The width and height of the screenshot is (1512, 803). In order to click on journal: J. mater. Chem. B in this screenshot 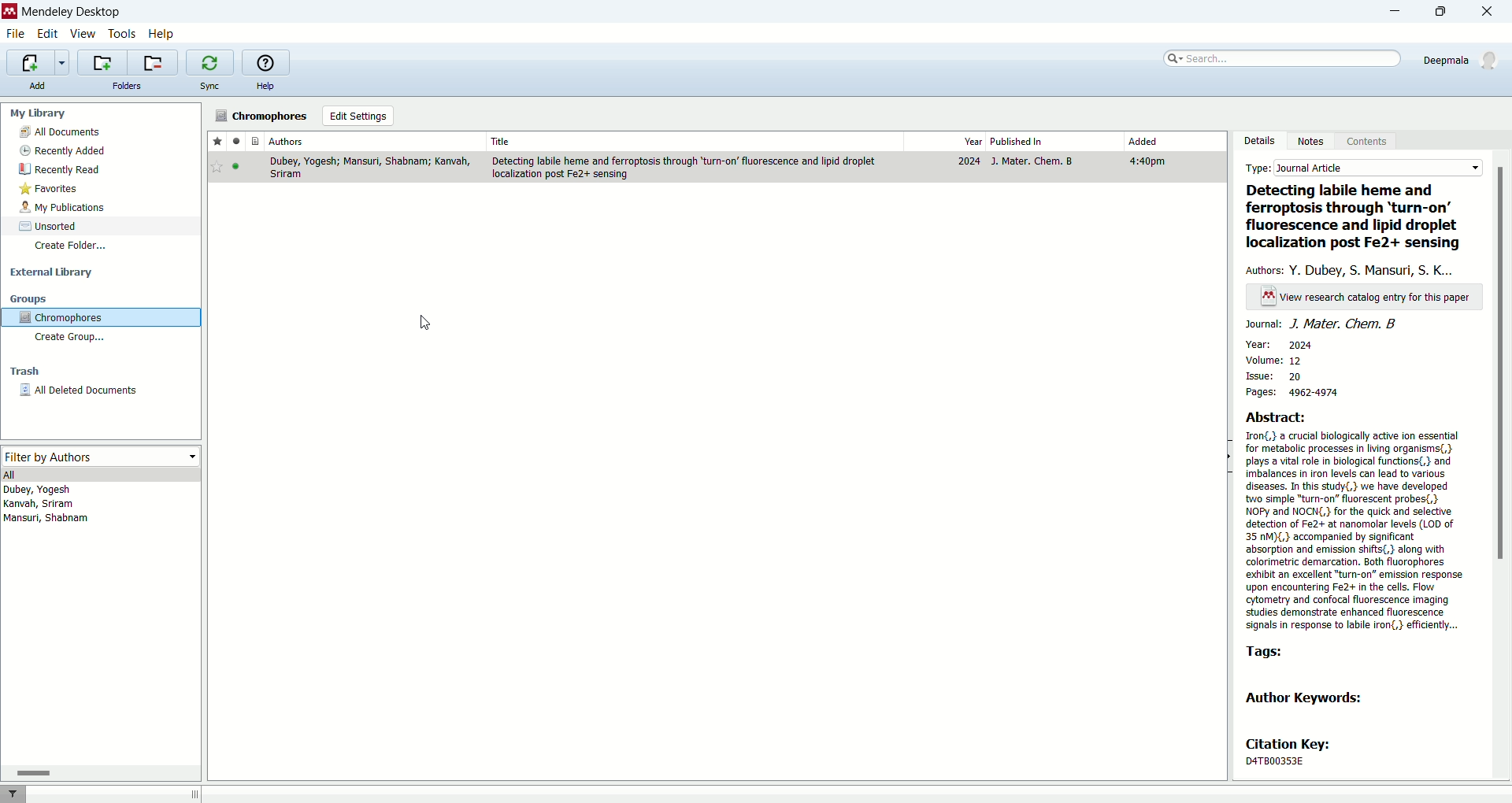, I will do `click(1322, 324)`.